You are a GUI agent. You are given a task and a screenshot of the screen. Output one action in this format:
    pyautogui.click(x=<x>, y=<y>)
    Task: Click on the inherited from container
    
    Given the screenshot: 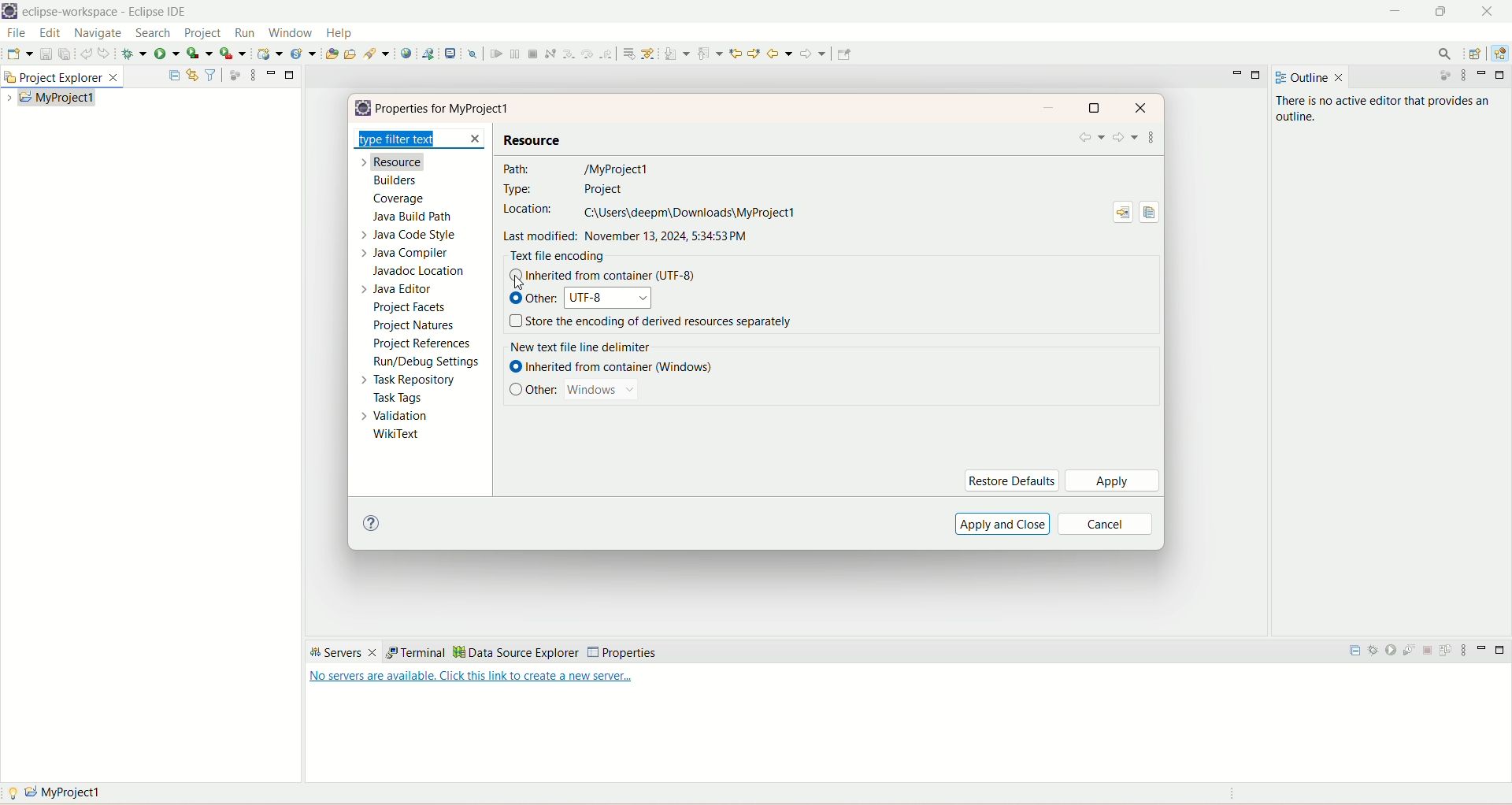 What is the action you would take?
    pyautogui.click(x=626, y=276)
    